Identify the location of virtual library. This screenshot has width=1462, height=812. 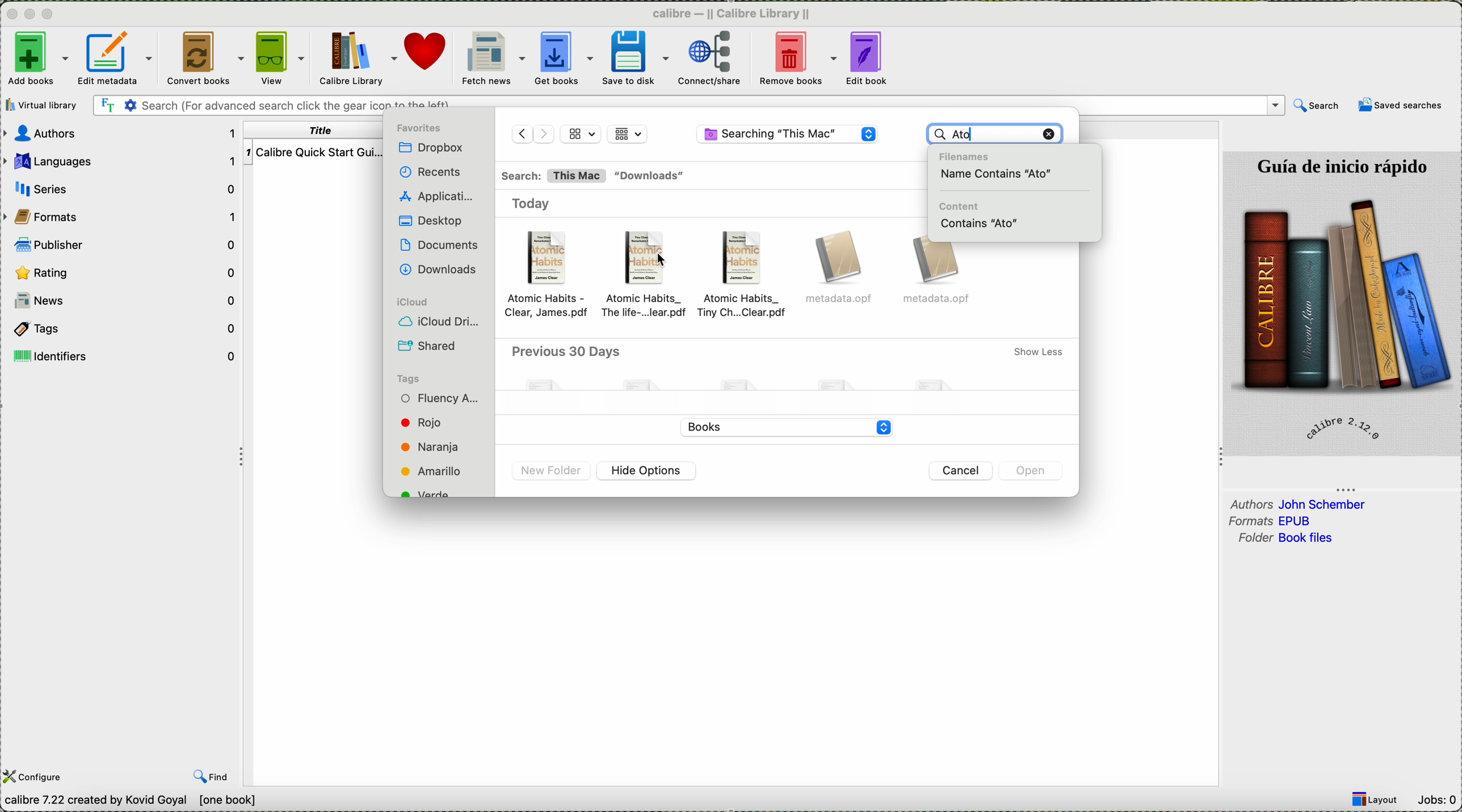
(42, 106).